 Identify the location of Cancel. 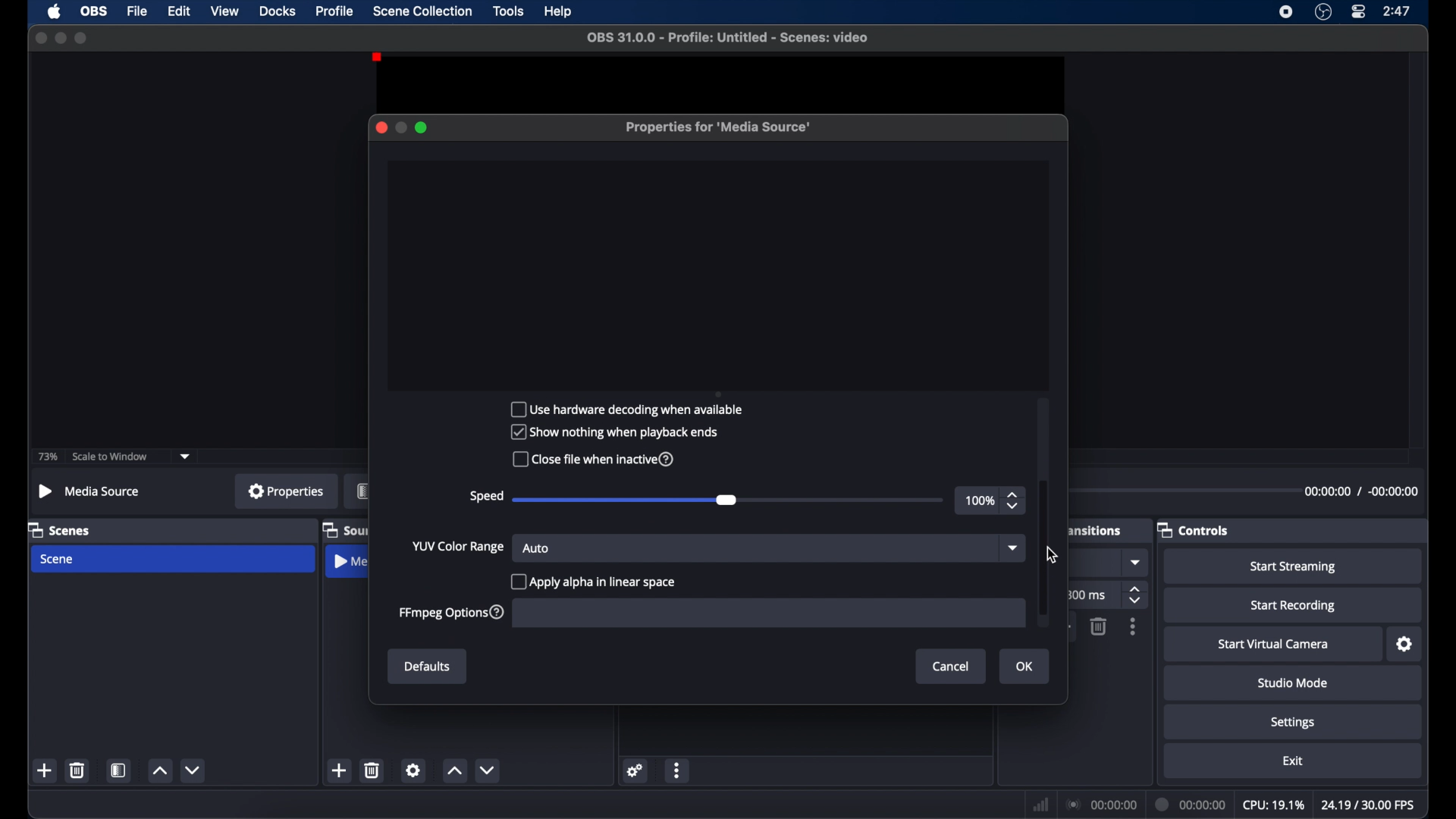
(949, 666).